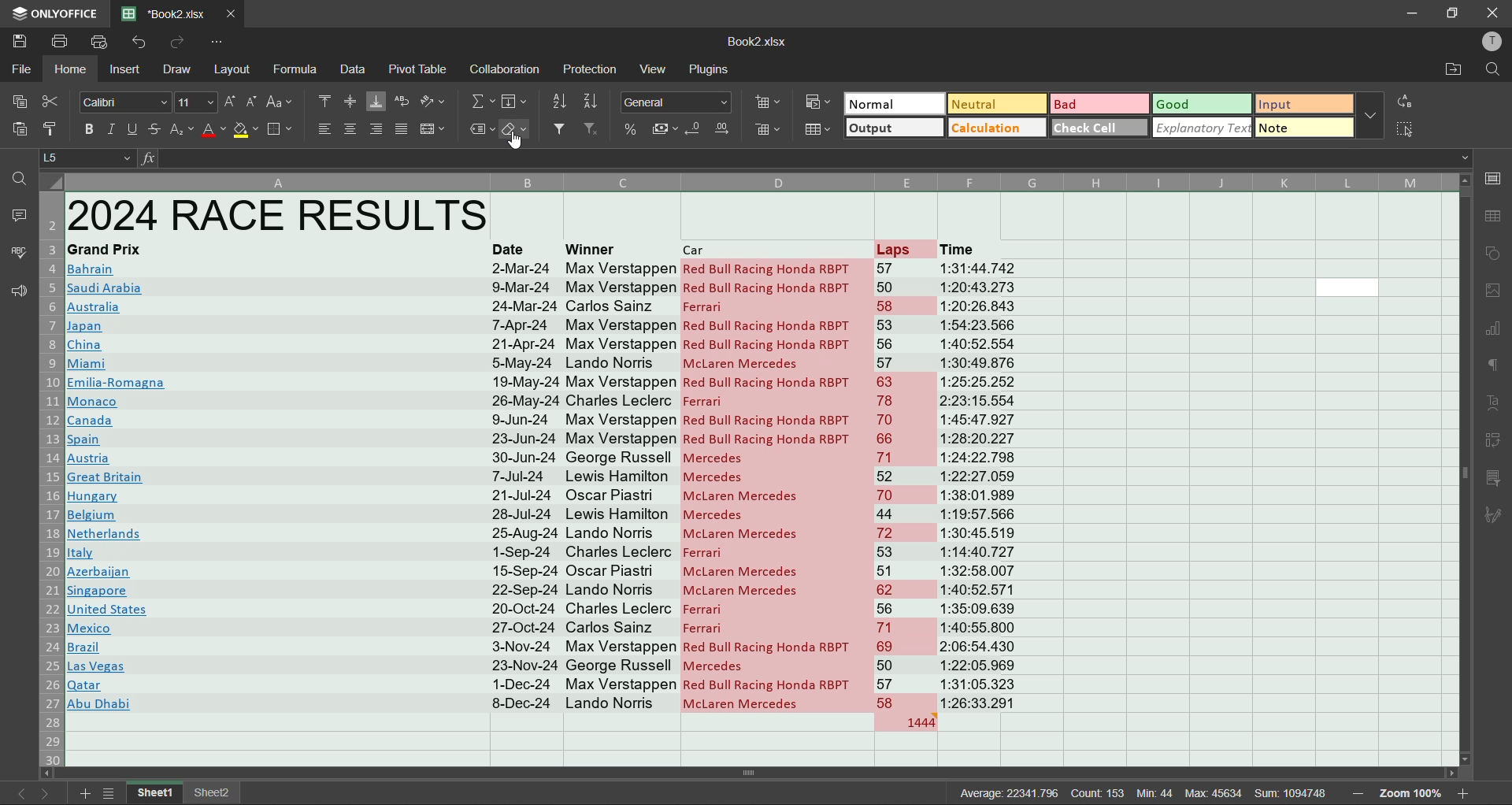 Image resolution: width=1512 pixels, height=805 pixels. What do you see at coordinates (235, 69) in the screenshot?
I see `layout` at bounding box center [235, 69].